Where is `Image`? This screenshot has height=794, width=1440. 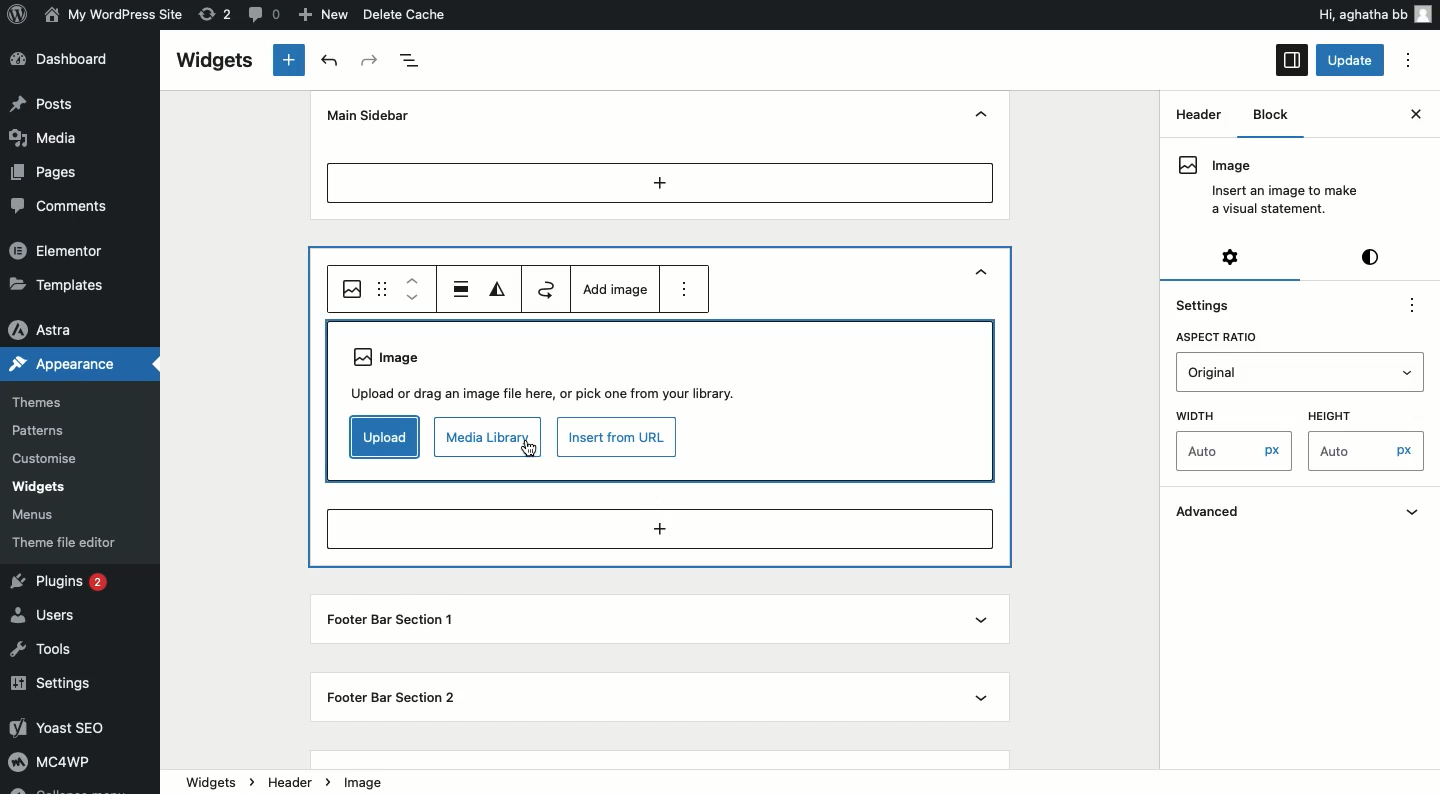
Image is located at coordinates (369, 780).